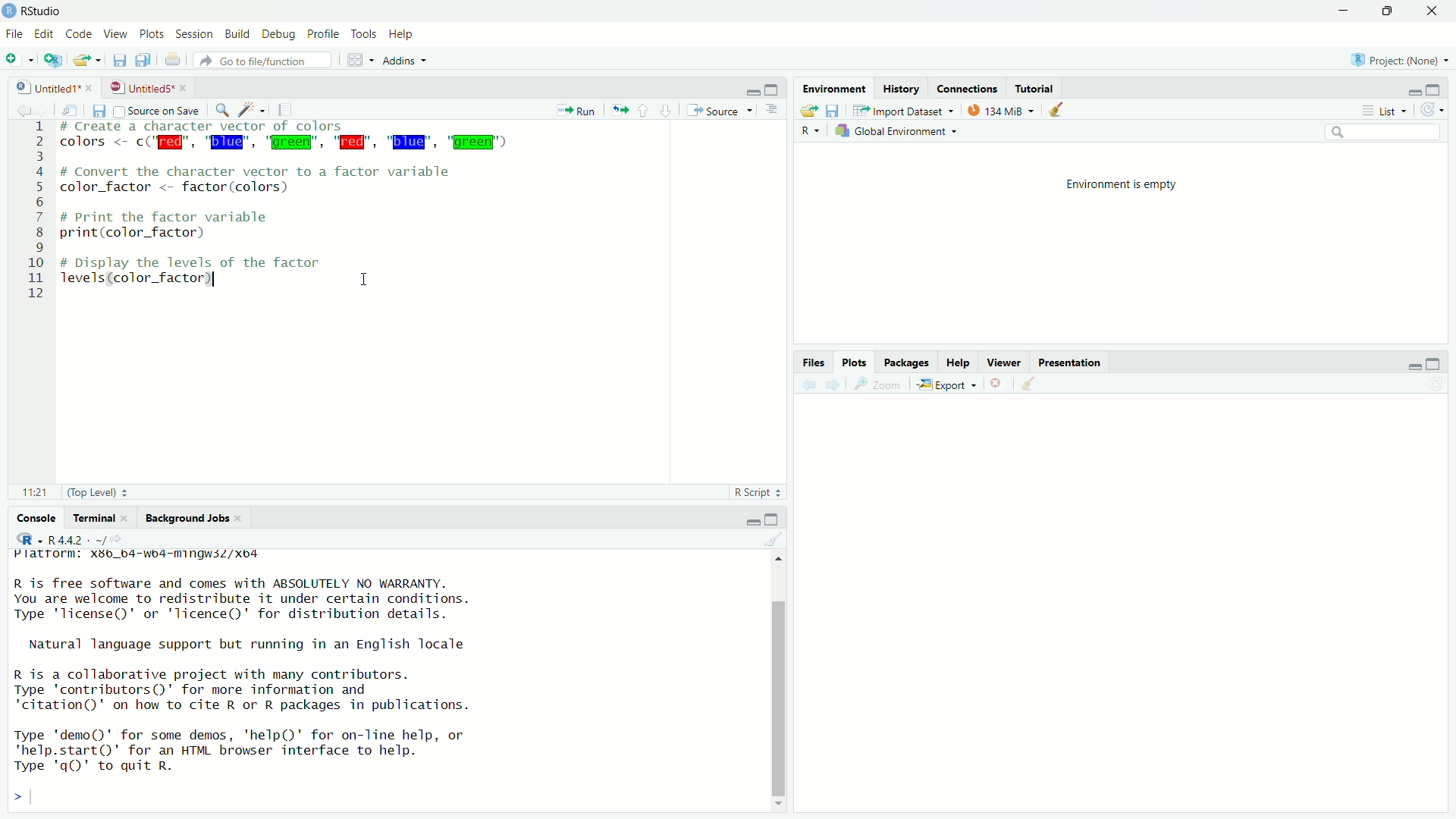 This screenshot has width=1456, height=819. Describe the element at coordinates (359, 60) in the screenshot. I see `workspace panes` at that location.